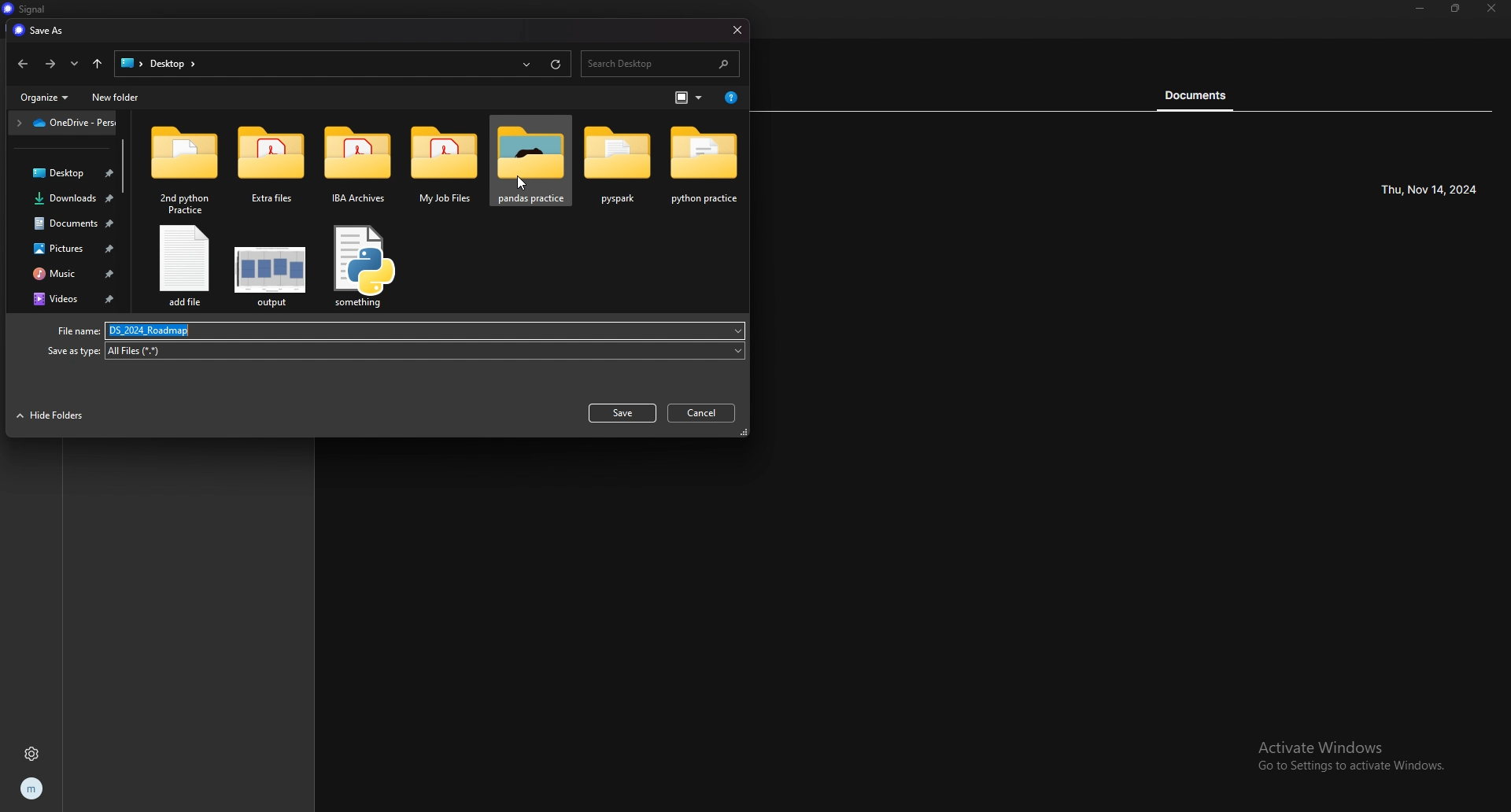 The height and width of the screenshot is (812, 1511). I want to click on time, so click(1428, 190).